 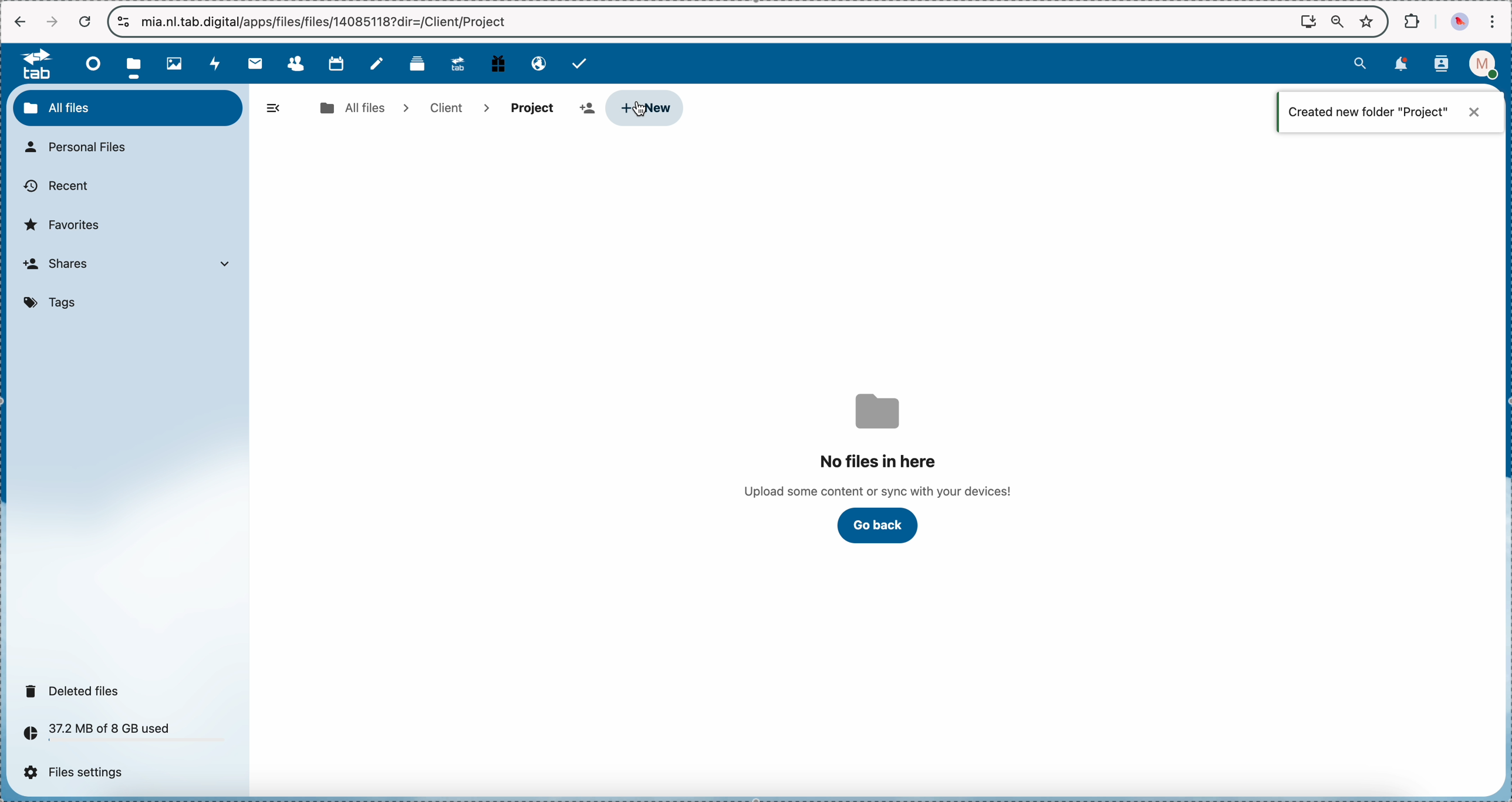 What do you see at coordinates (52, 22) in the screenshot?
I see `navigate foward` at bounding box center [52, 22].